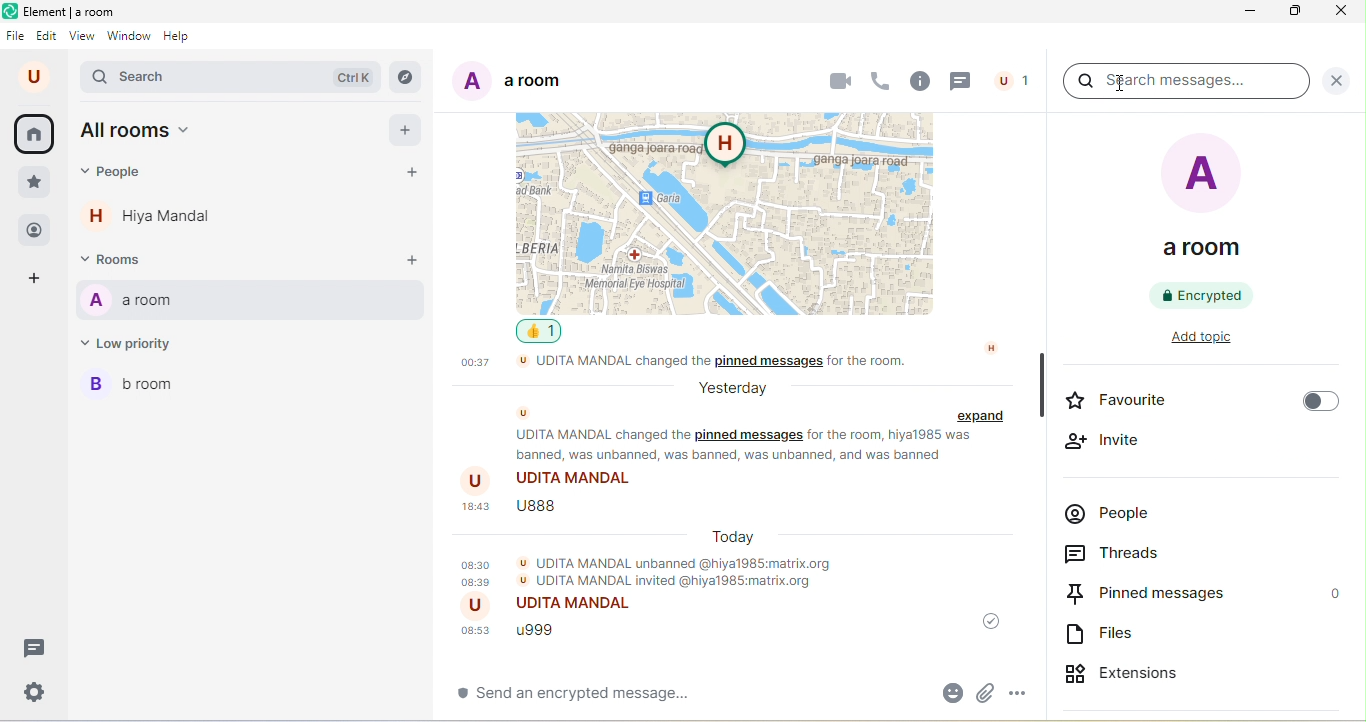  I want to click on invite, so click(1106, 441).